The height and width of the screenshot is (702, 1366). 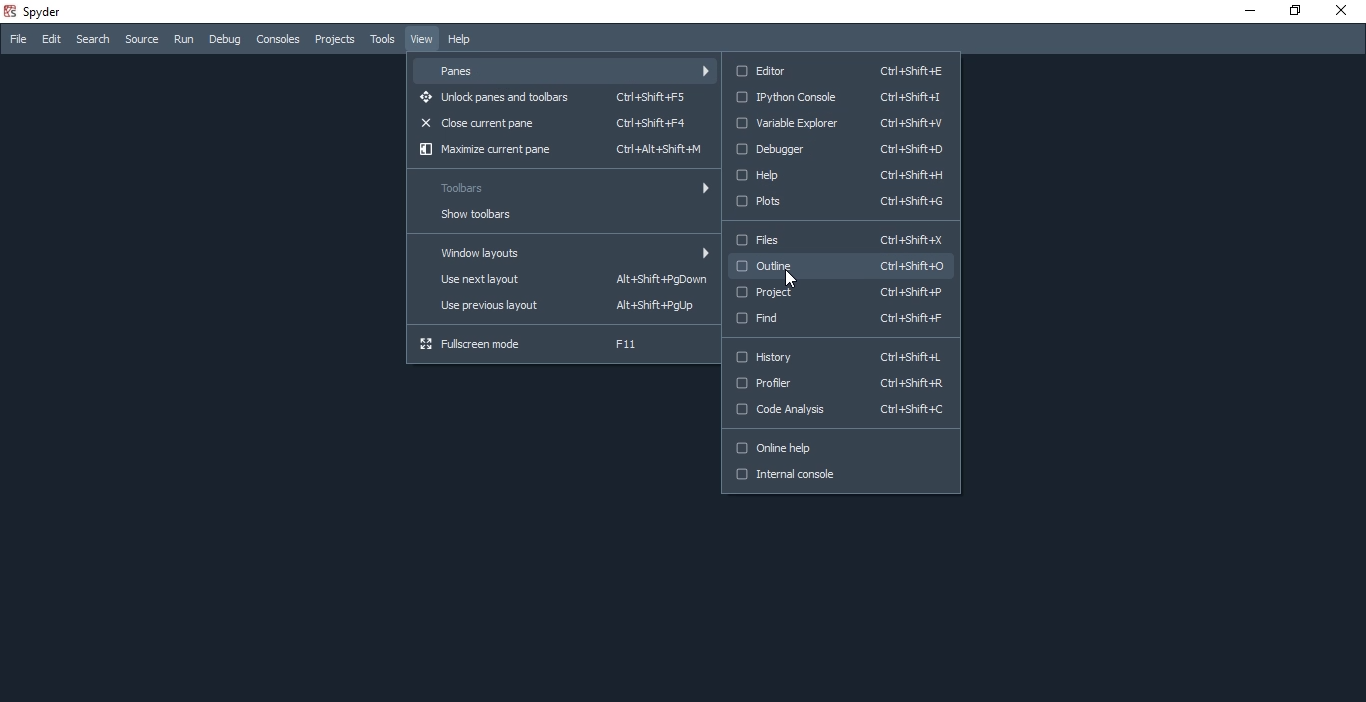 I want to click on Cursor, so click(x=796, y=277).